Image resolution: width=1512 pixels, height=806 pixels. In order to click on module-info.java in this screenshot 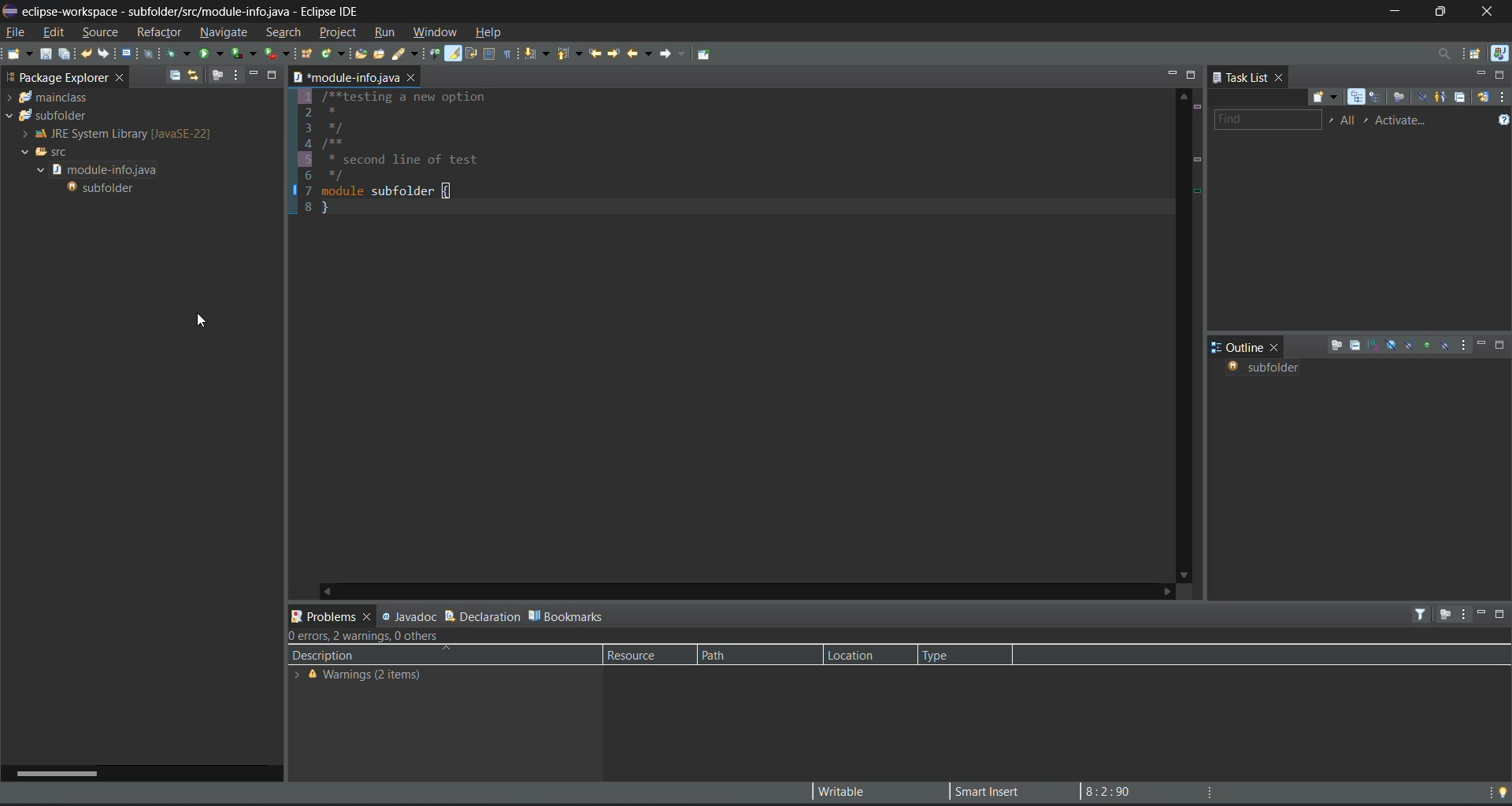, I will do `click(106, 168)`.